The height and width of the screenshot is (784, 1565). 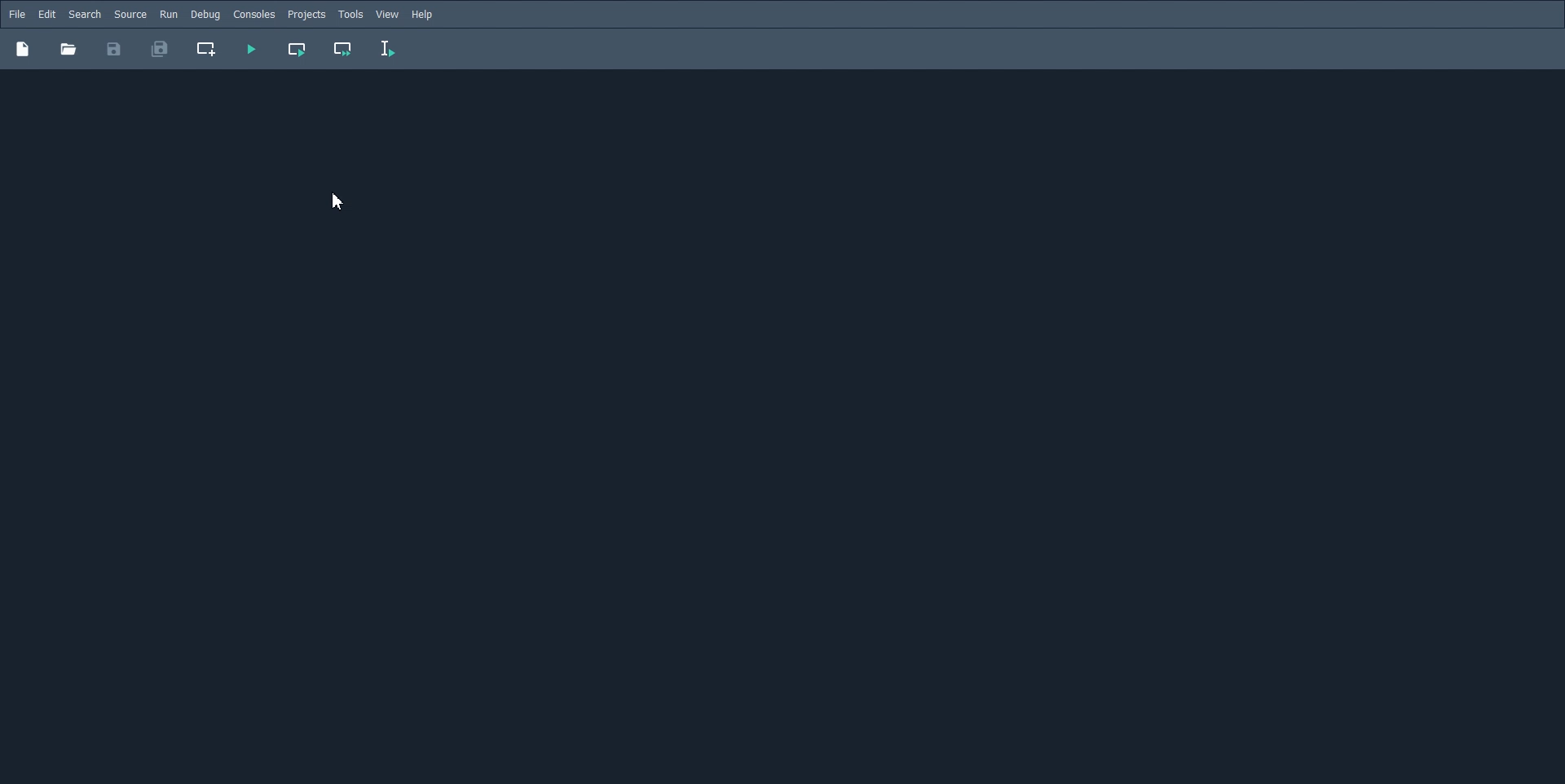 What do you see at coordinates (130, 14) in the screenshot?
I see `Source` at bounding box center [130, 14].